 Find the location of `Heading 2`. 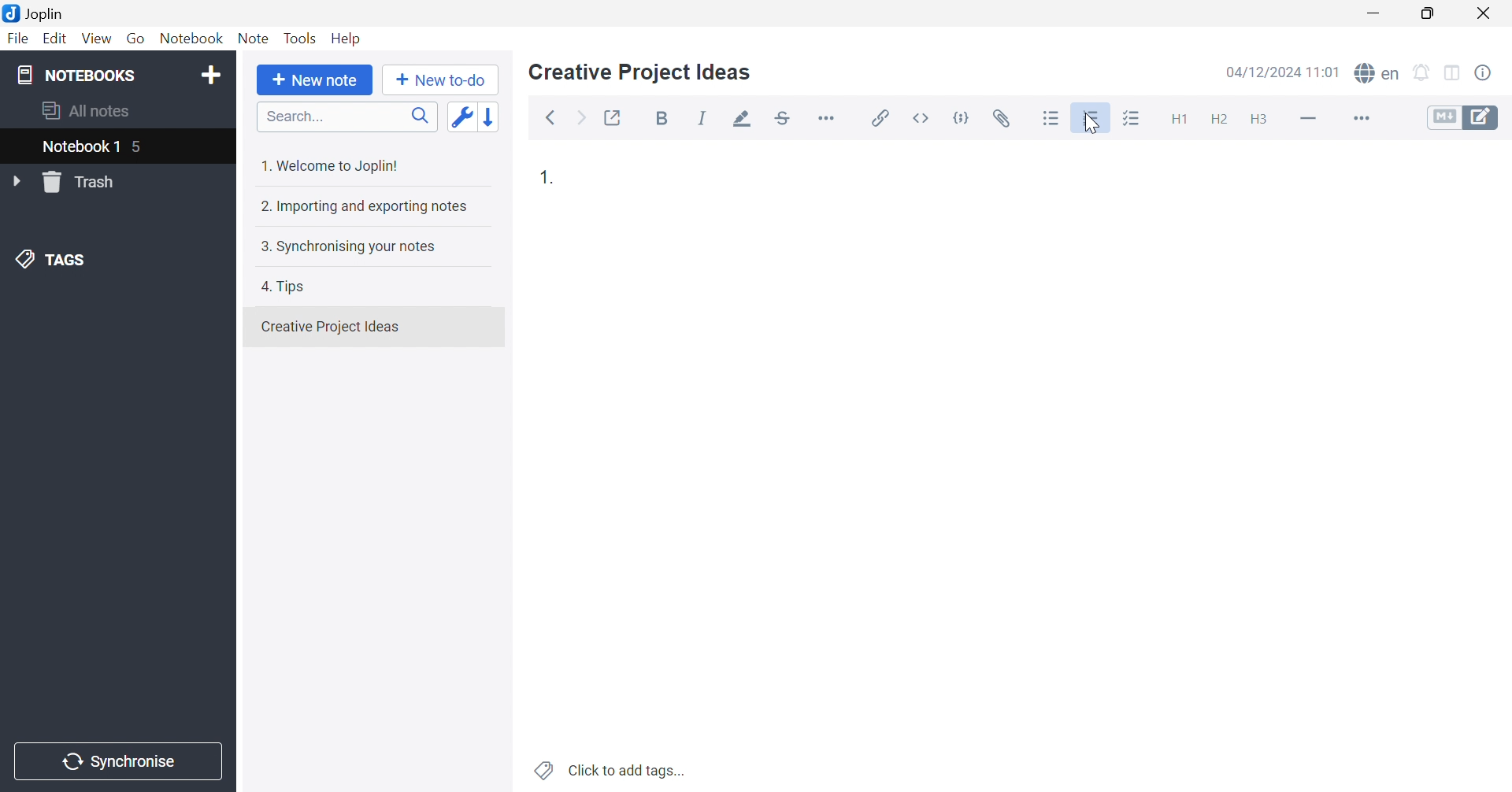

Heading 2 is located at coordinates (1221, 121).